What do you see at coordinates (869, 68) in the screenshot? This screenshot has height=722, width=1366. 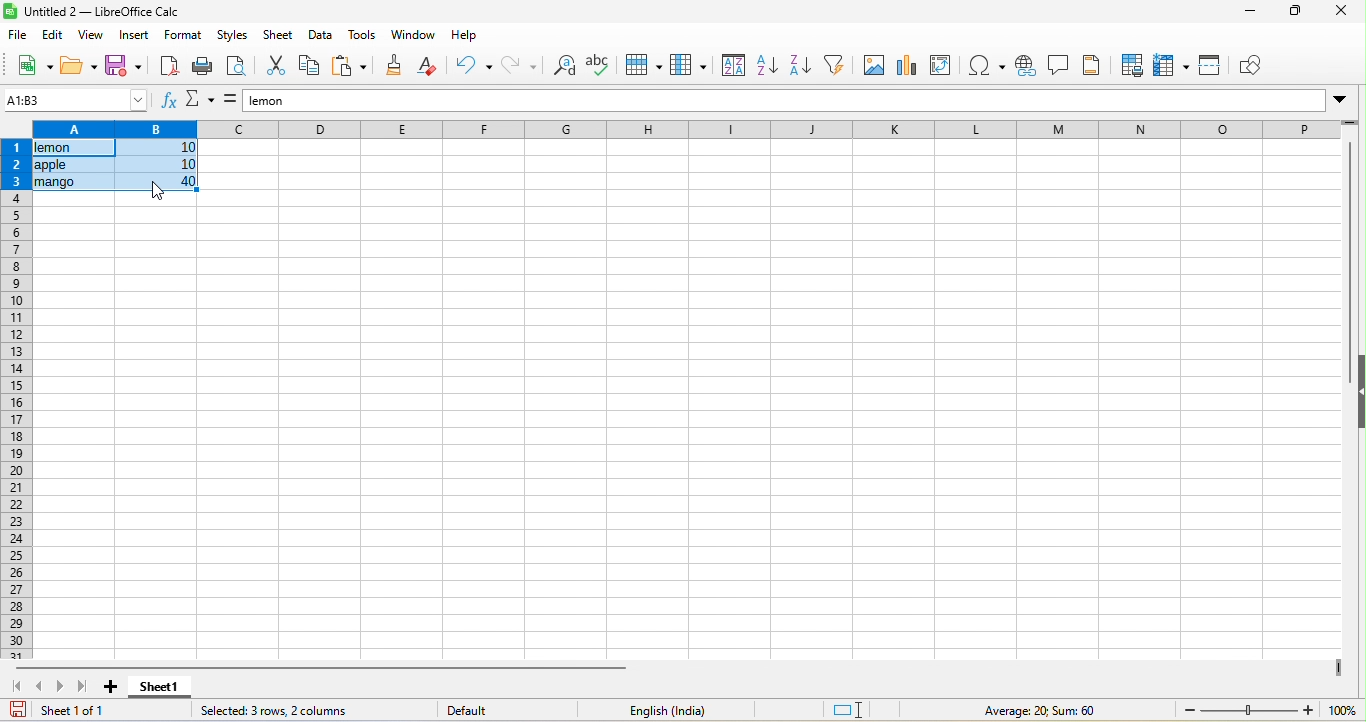 I see `image` at bounding box center [869, 68].